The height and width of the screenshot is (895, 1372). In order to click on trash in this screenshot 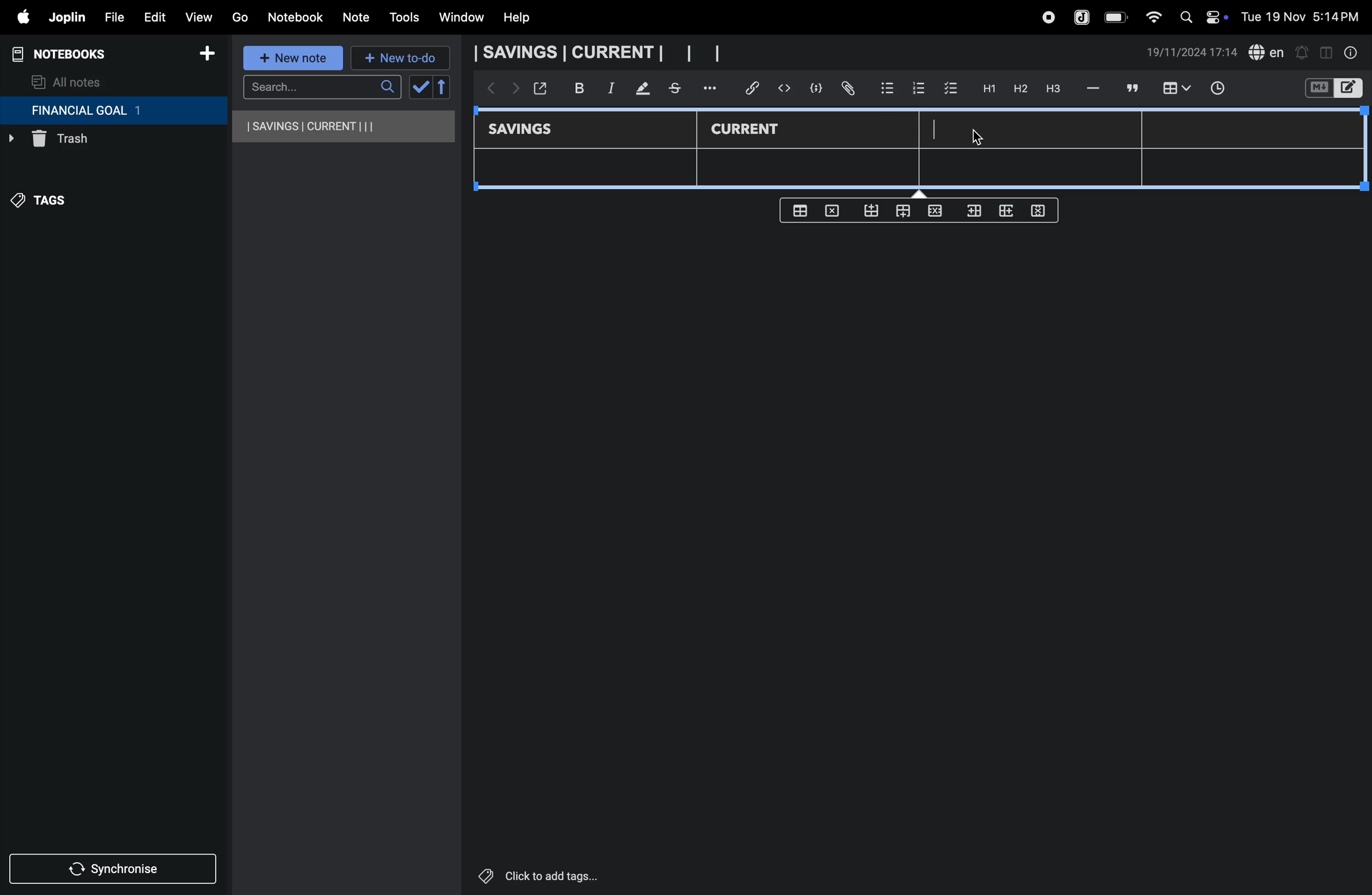, I will do `click(89, 142)`.